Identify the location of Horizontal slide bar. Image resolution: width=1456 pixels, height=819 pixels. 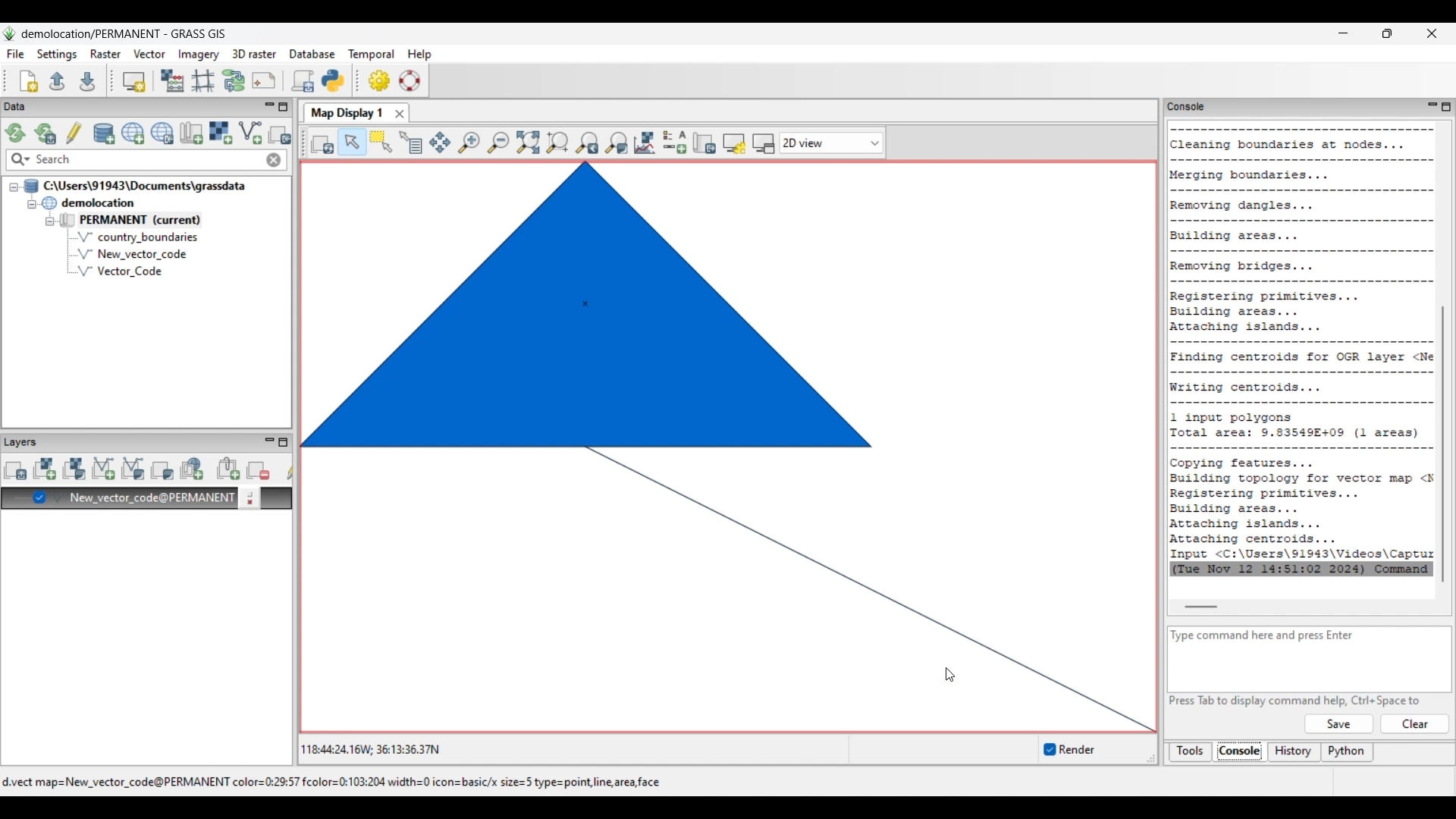
(1200, 607).